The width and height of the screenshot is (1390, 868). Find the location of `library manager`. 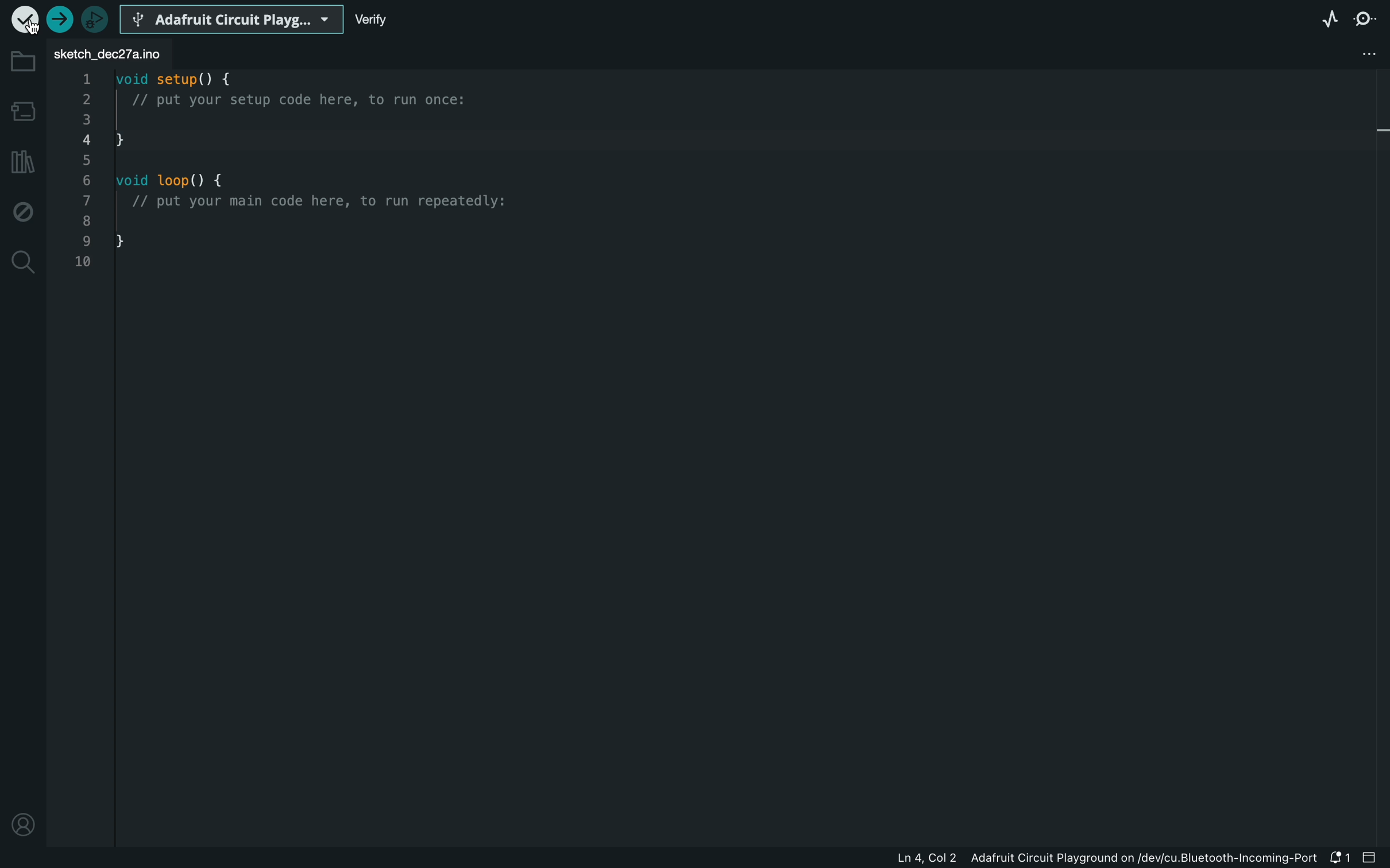

library manager is located at coordinates (20, 161).